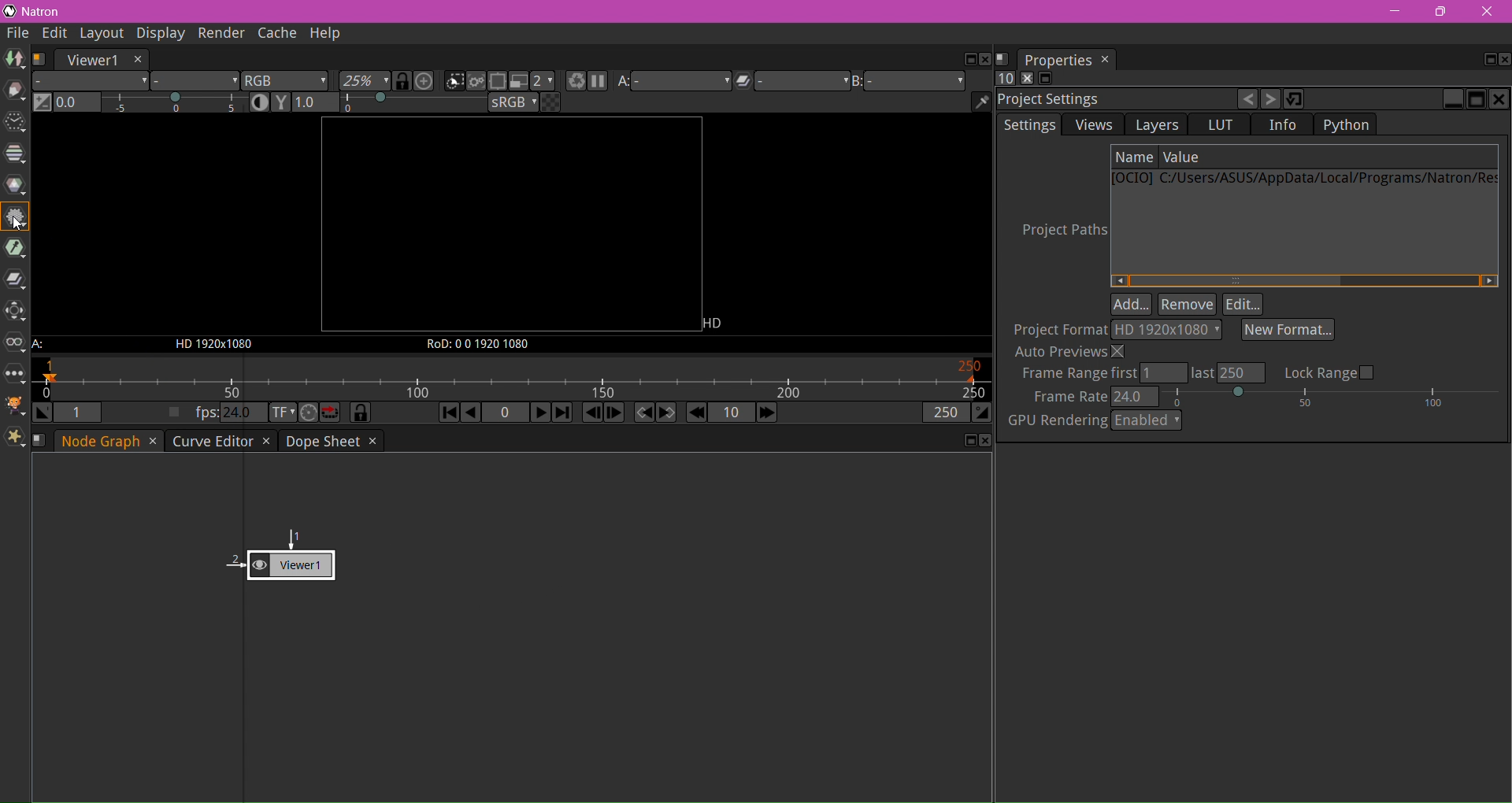 This screenshot has height=803, width=1512. Describe the element at coordinates (15, 91) in the screenshot. I see `Draw` at that location.